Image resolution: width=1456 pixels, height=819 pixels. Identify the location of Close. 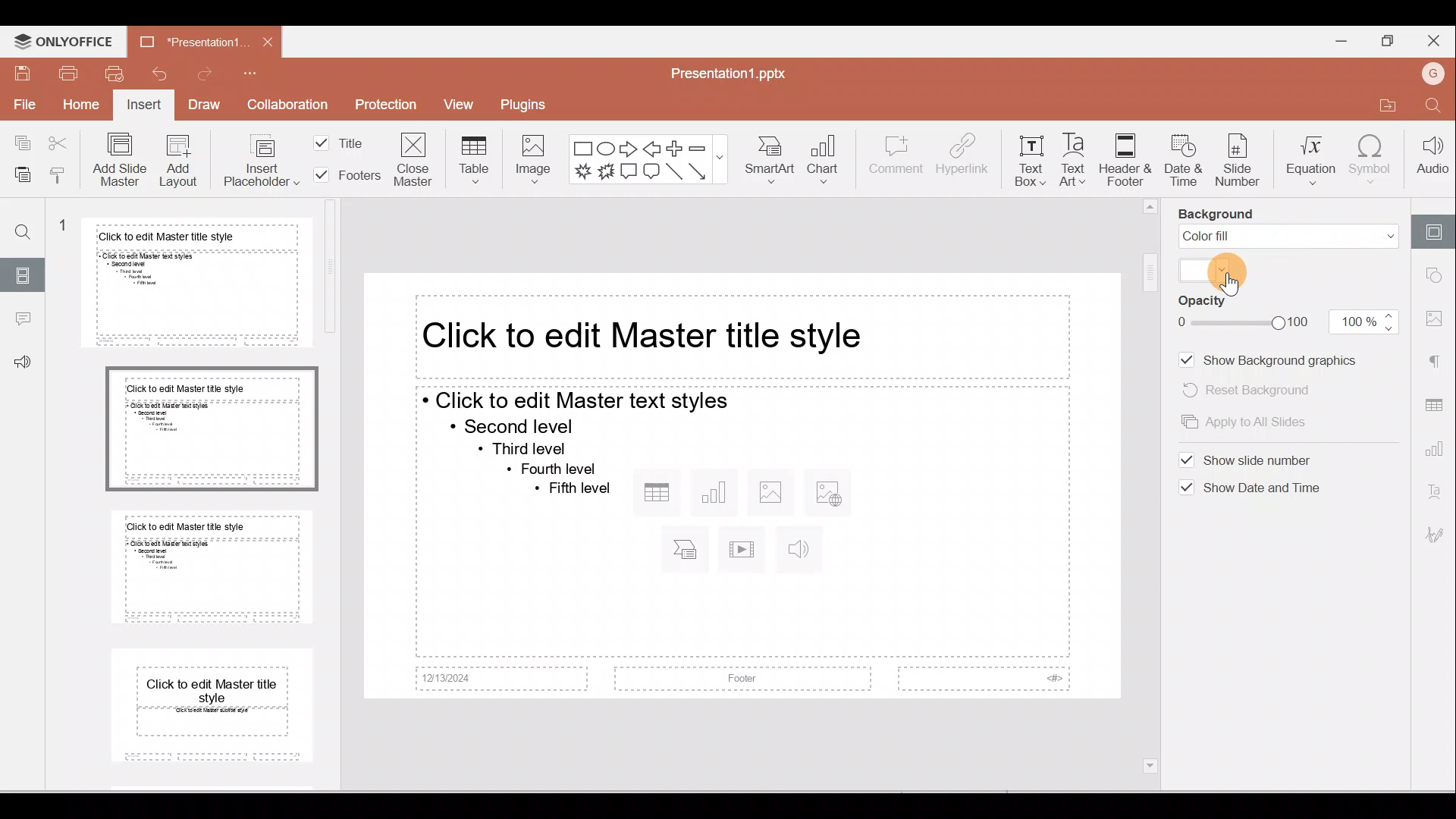
(268, 39).